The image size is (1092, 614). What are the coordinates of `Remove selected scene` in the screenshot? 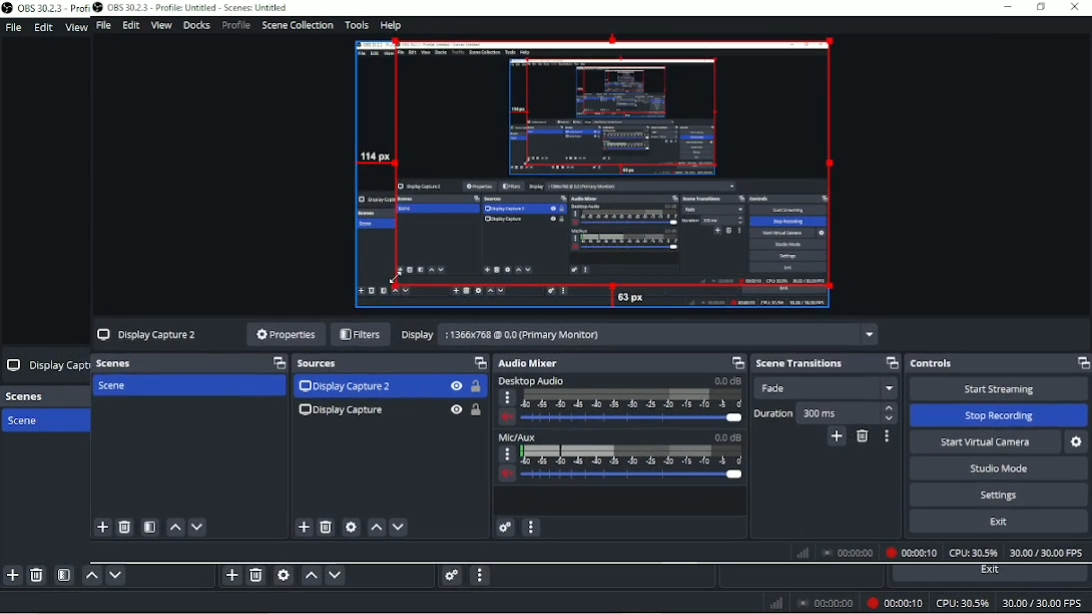 It's located at (37, 576).